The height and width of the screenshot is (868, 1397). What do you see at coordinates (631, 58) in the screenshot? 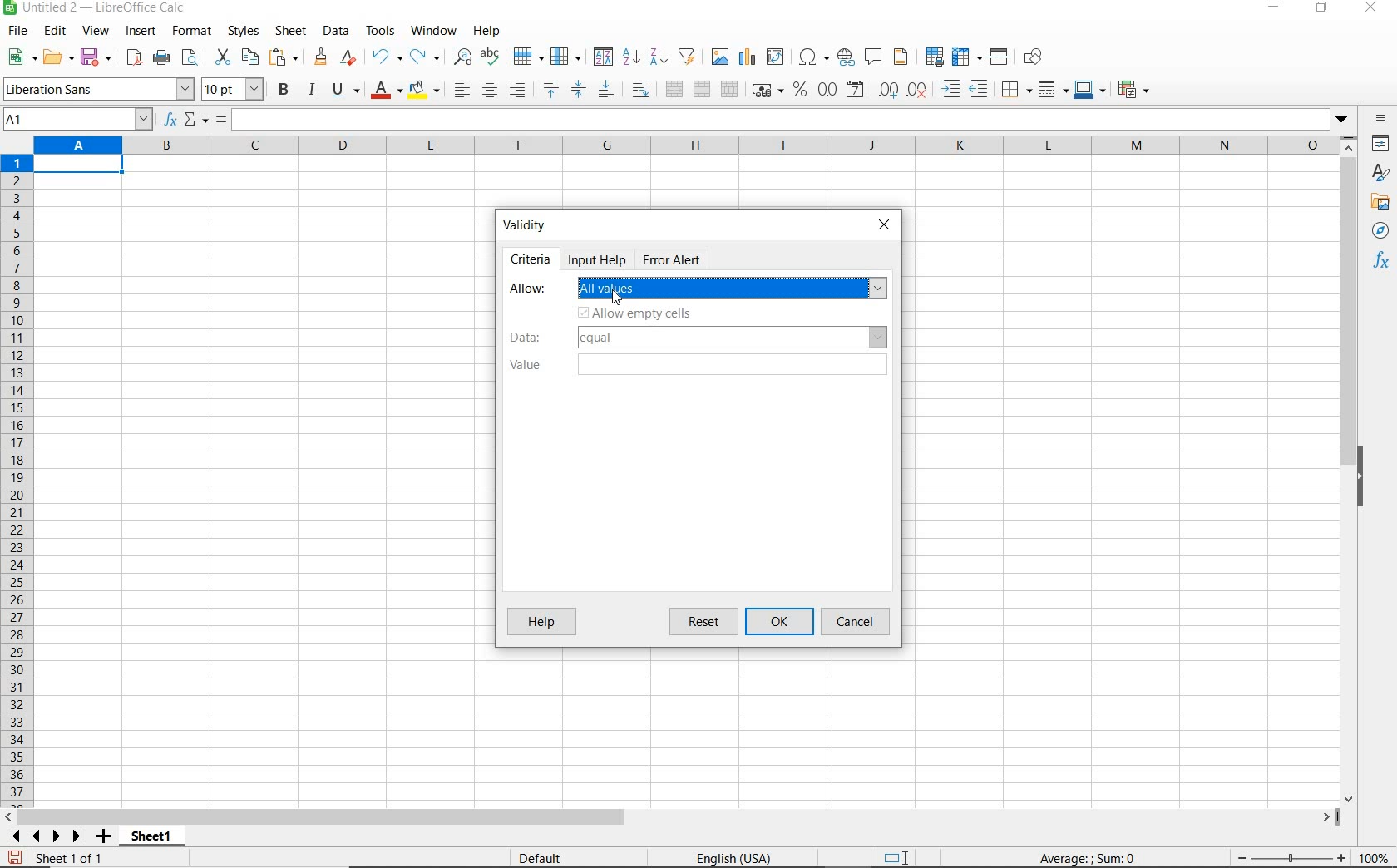
I see `sort ascending` at bounding box center [631, 58].